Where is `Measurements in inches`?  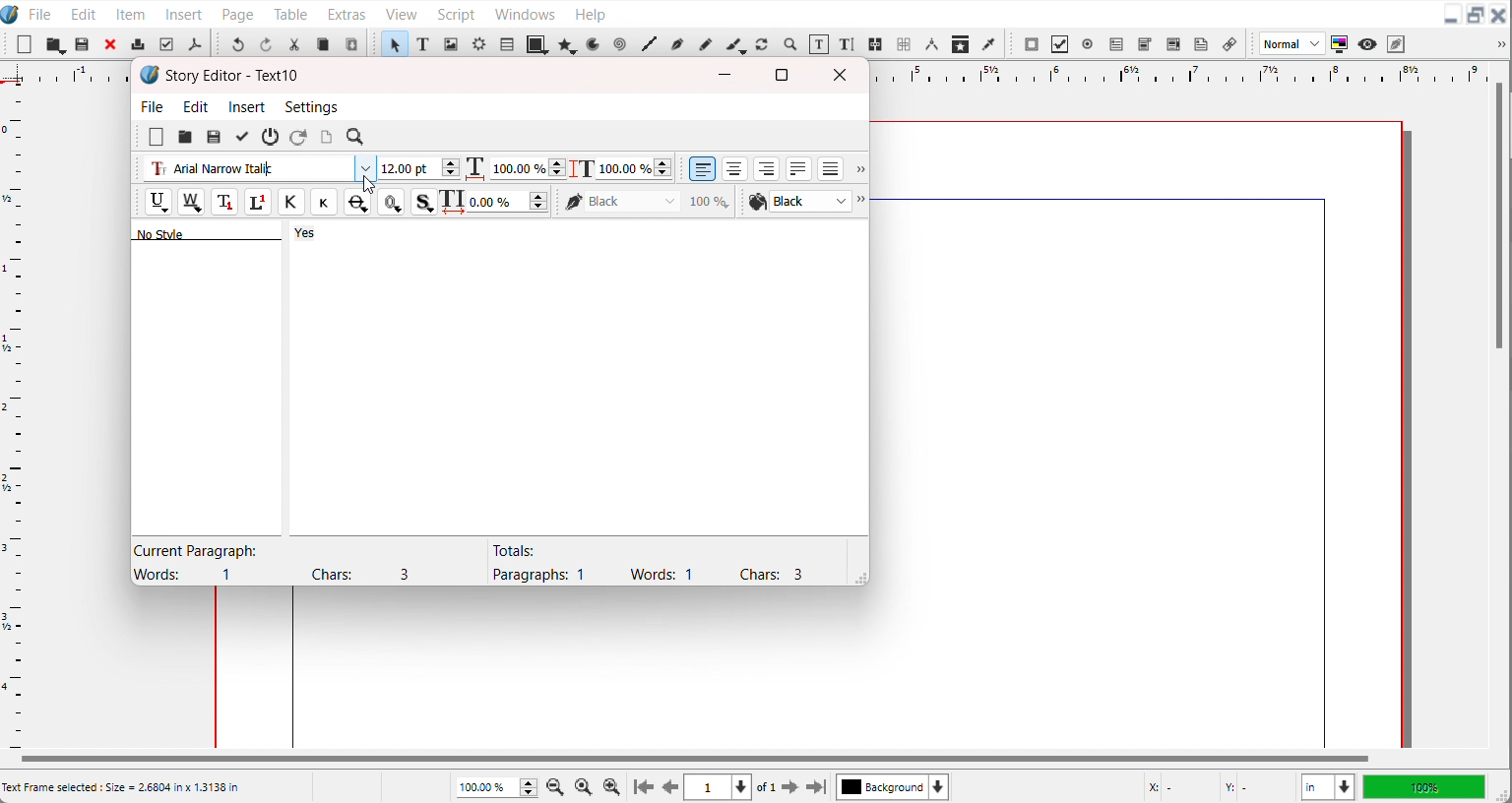 Measurements in inches is located at coordinates (1328, 787).